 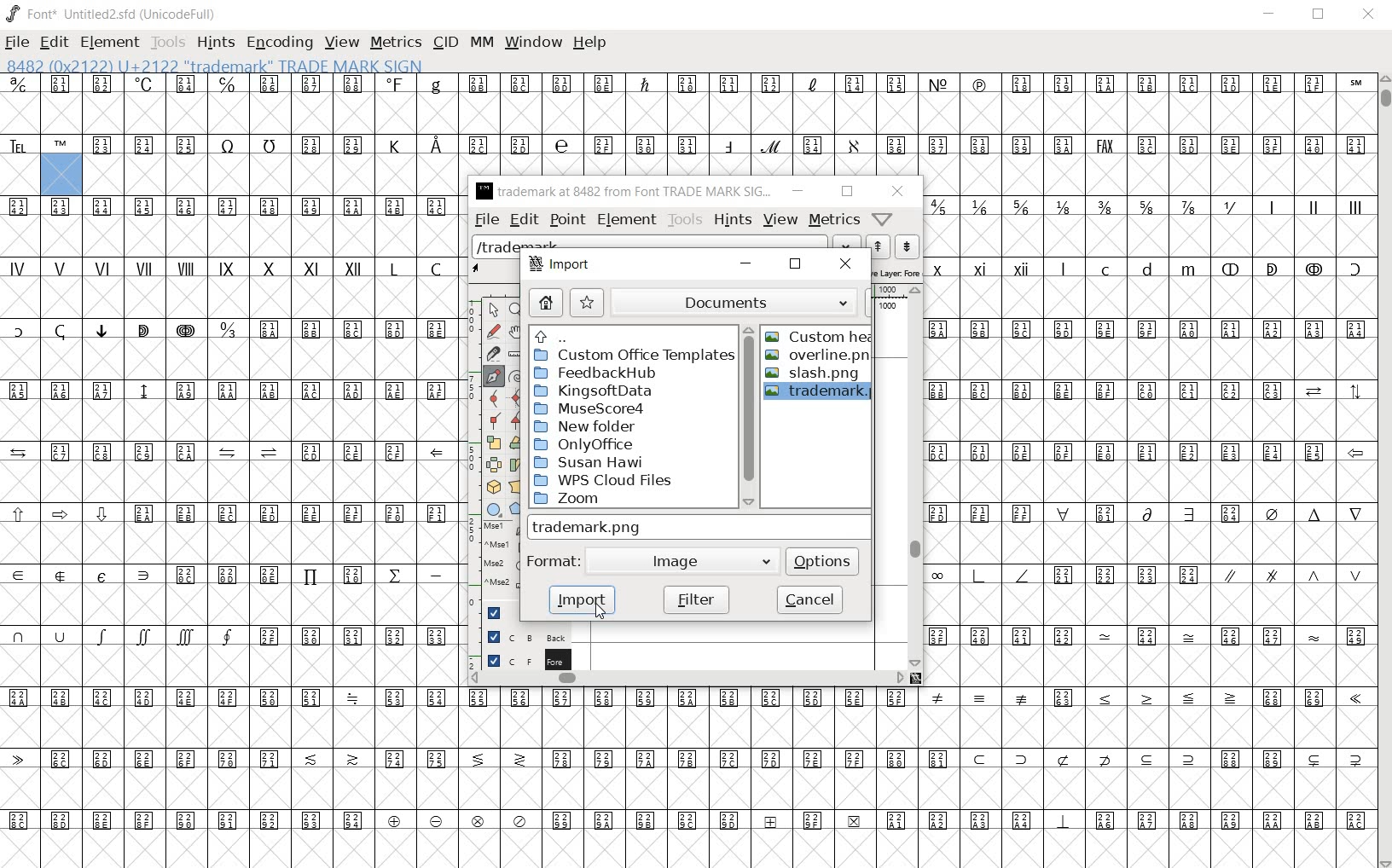 I want to click on trademark, so click(x=820, y=391).